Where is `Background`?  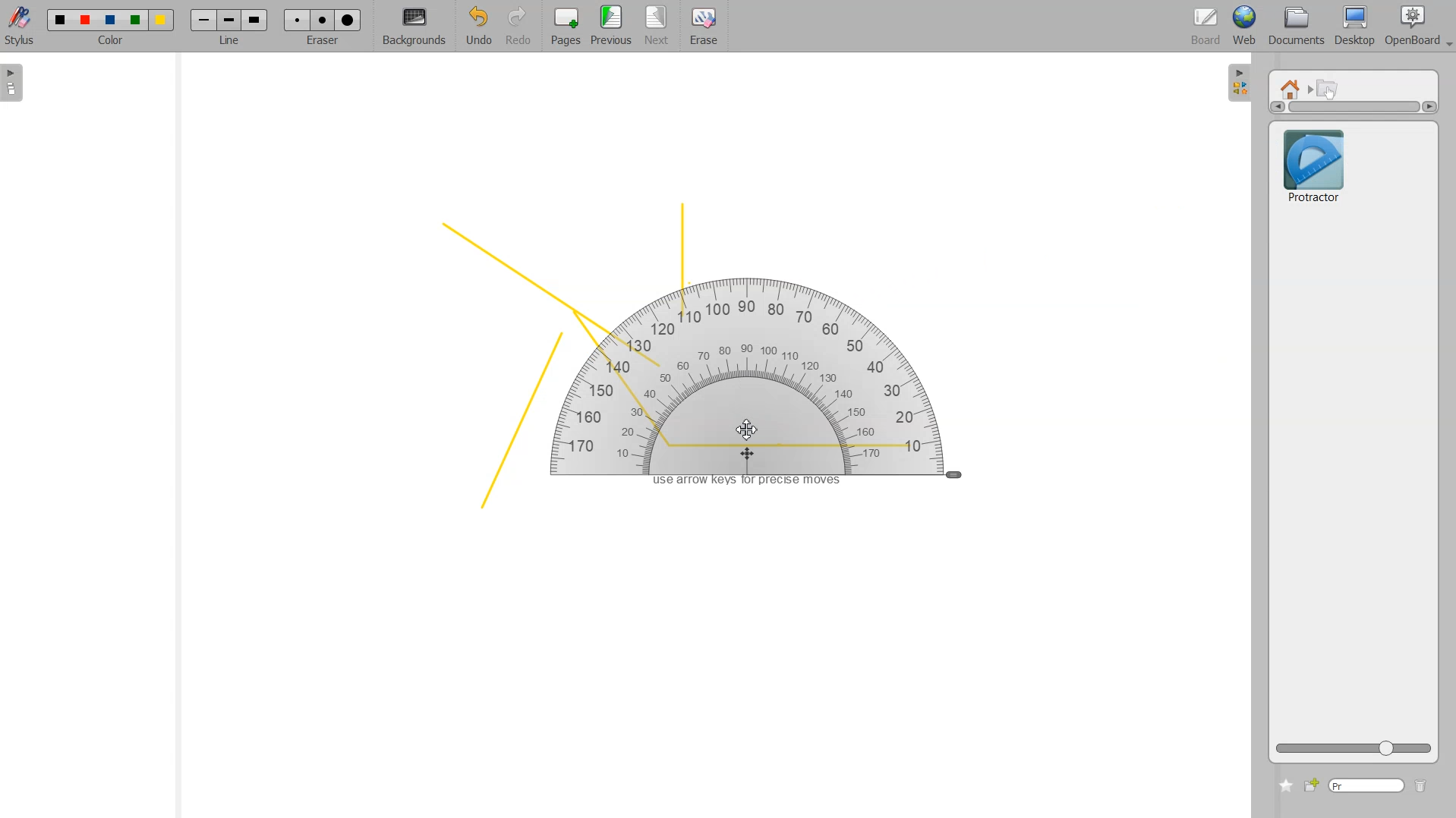
Background is located at coordinates (414, 27).